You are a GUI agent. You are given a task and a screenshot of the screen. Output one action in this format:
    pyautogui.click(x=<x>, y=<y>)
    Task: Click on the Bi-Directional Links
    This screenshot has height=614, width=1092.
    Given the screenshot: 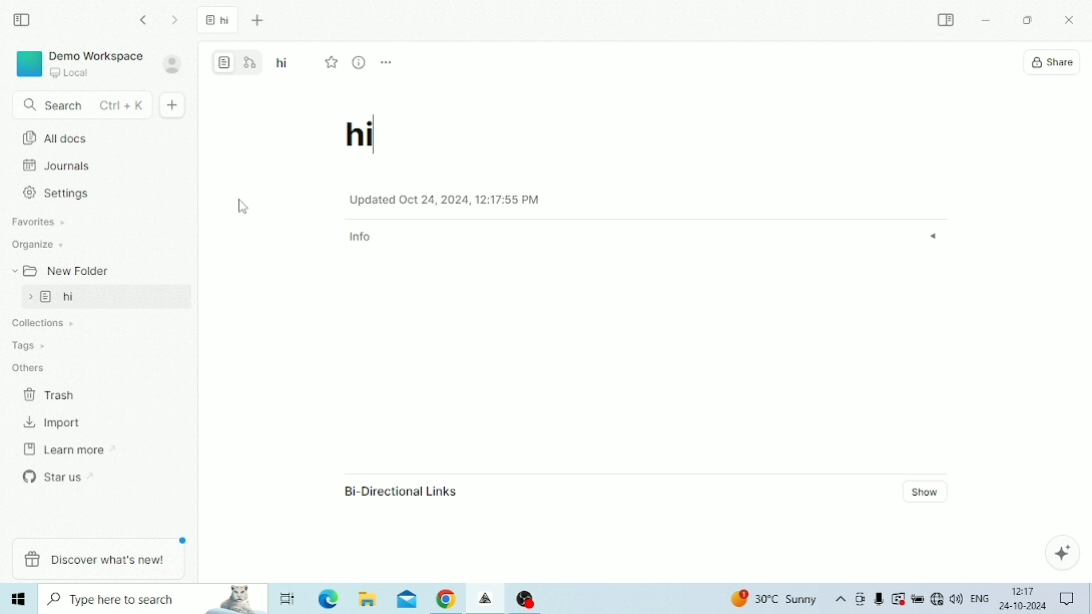 What is the action you would take?
    pyautogui.click(x=400, y=491)
    